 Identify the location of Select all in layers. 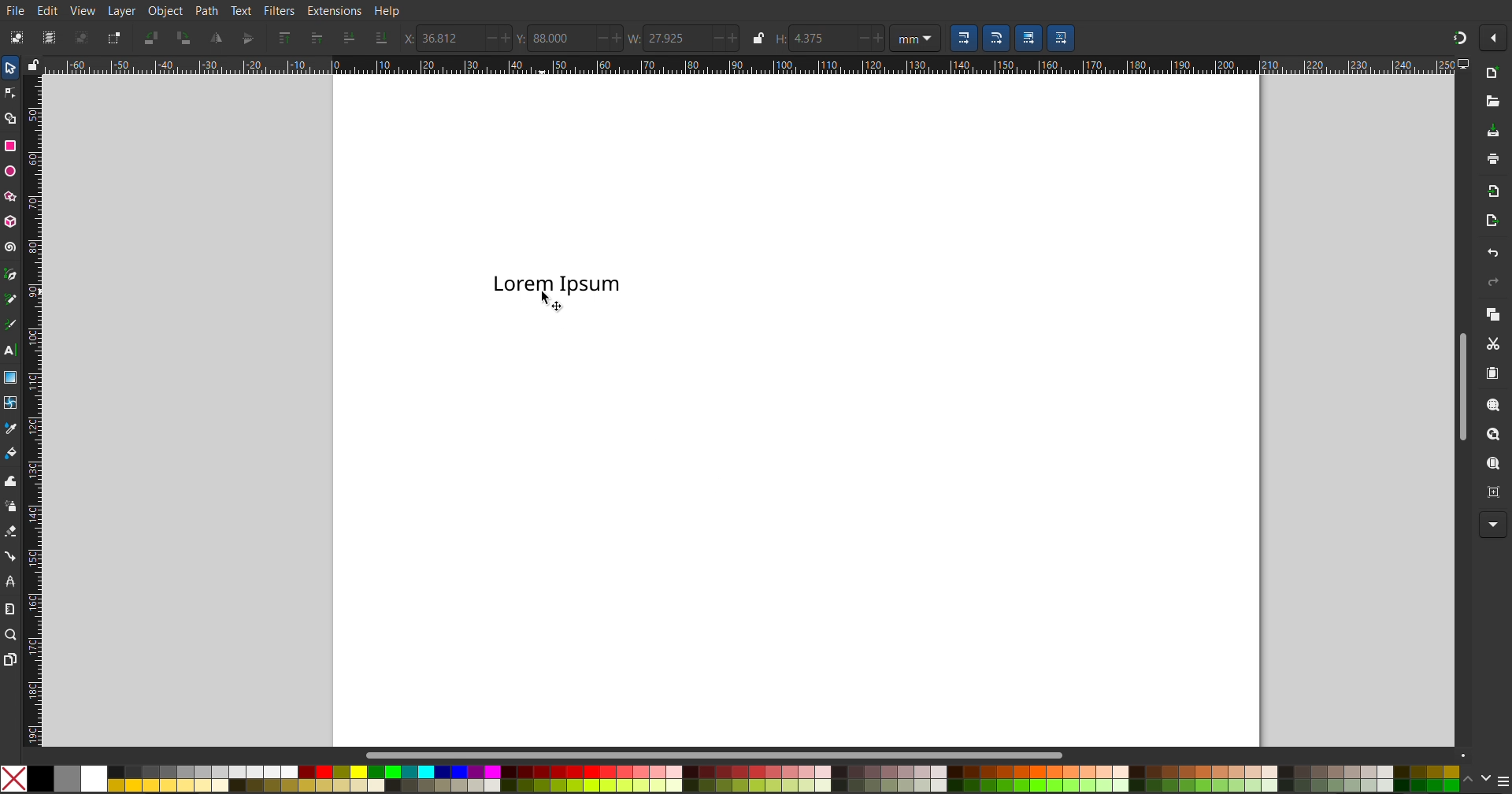
(49, 36).